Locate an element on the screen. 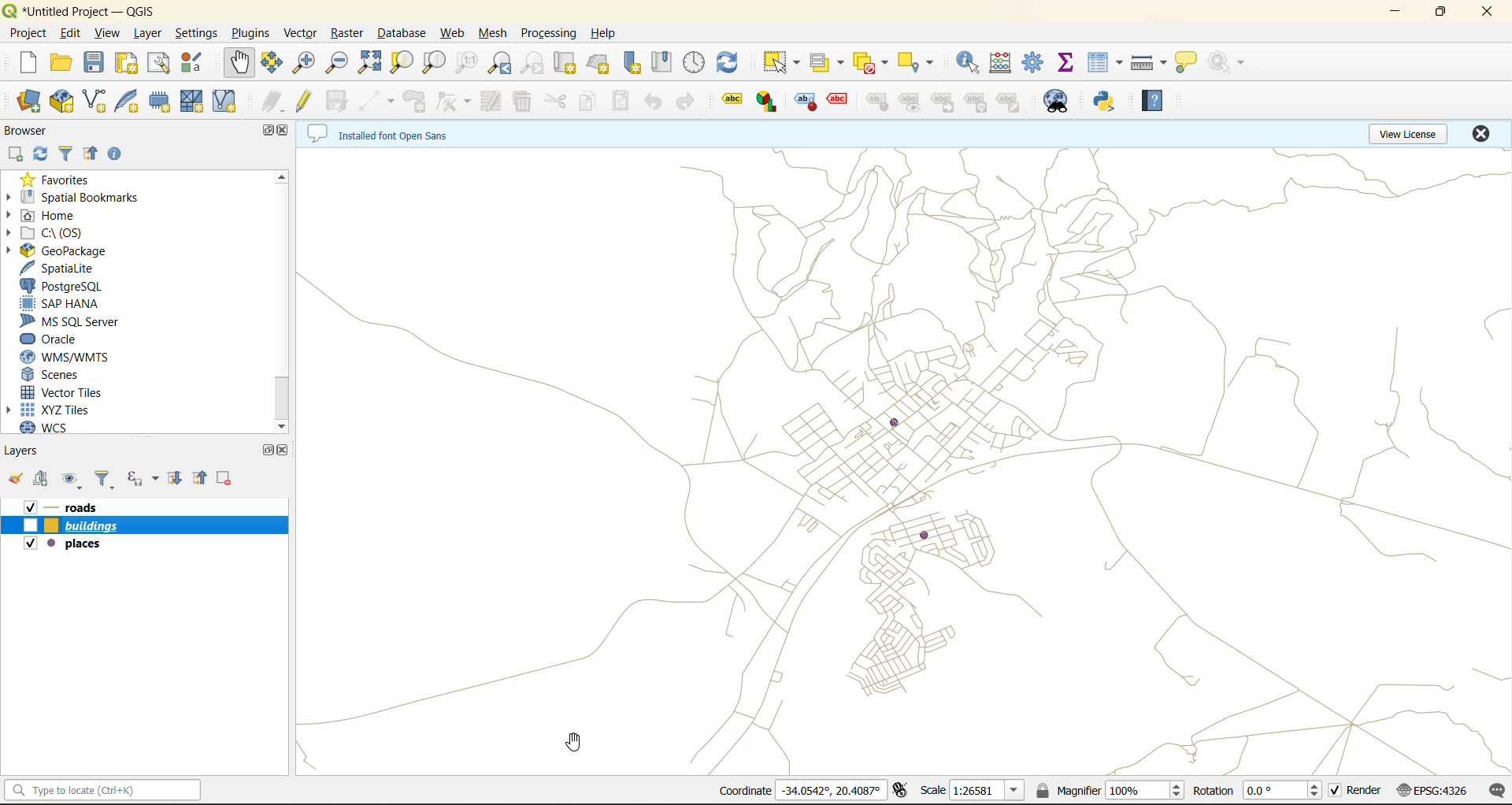 The width and height of the screenshot is (1512, 805). xyz tiles is located at coordinates (51, 408).